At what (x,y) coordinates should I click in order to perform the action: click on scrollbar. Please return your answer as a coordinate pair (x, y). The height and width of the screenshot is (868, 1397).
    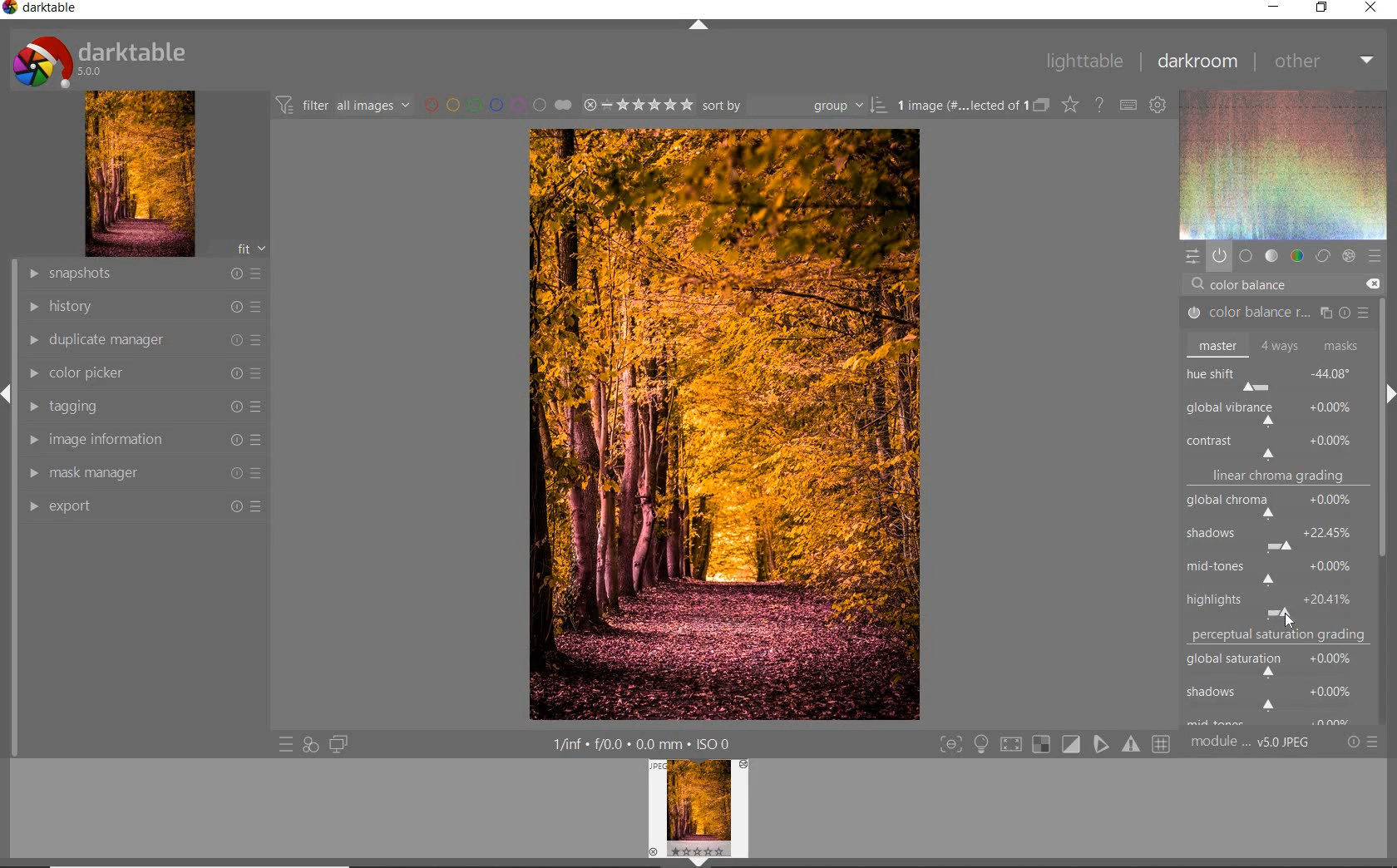
    Looking at the image, I should click on (1384, 330).